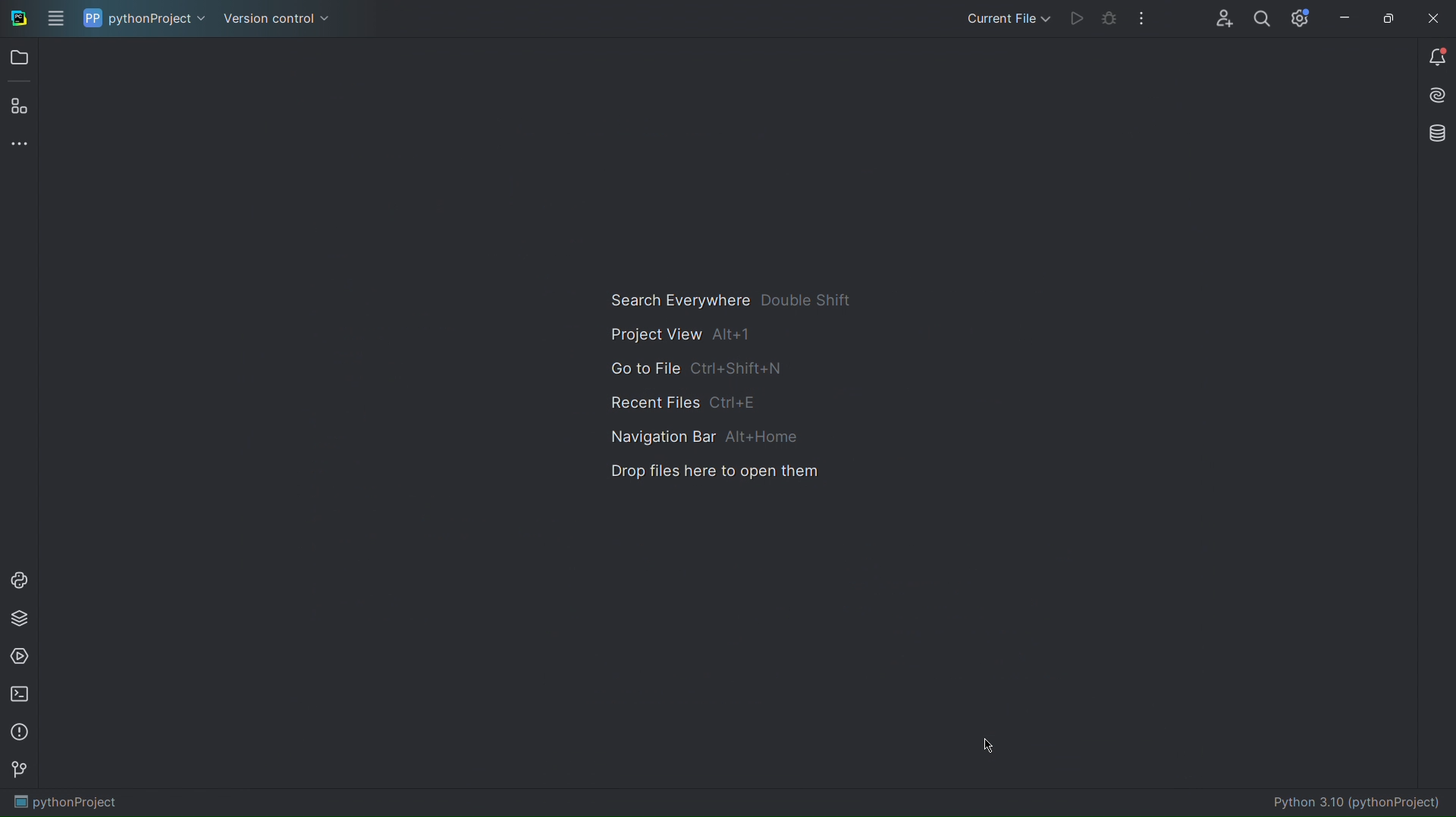 This screenshot has width=1456, height=817. Describe the element at coordinates (1143, 17) in the screenshot. I see `More` at that location.